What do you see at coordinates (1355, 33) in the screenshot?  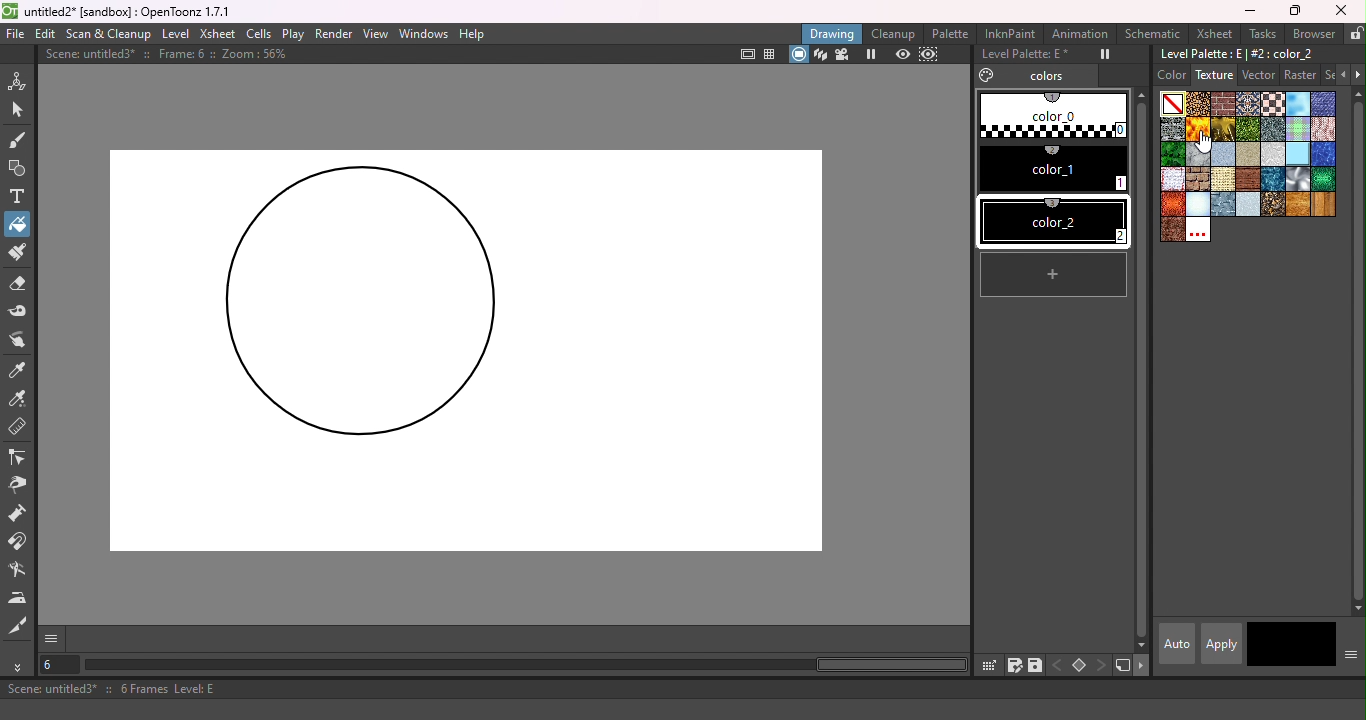 I see `Lock rooms tab` at bounding box center [1355, 33].